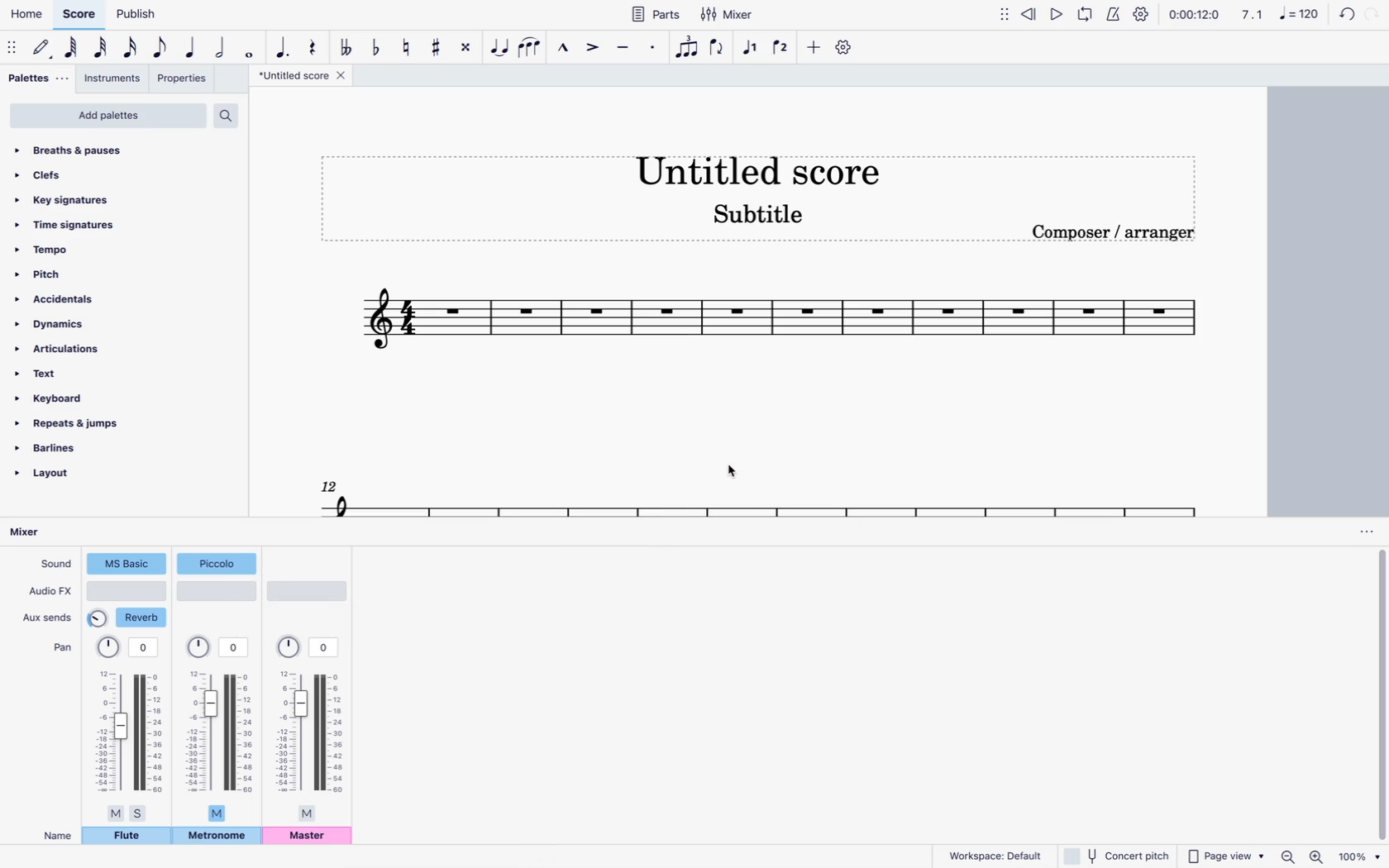 The image size is (1389, 868). What do you see at coordinates (87, 374) in the screenshot?
I see `text` at bounding box center [87, 374].